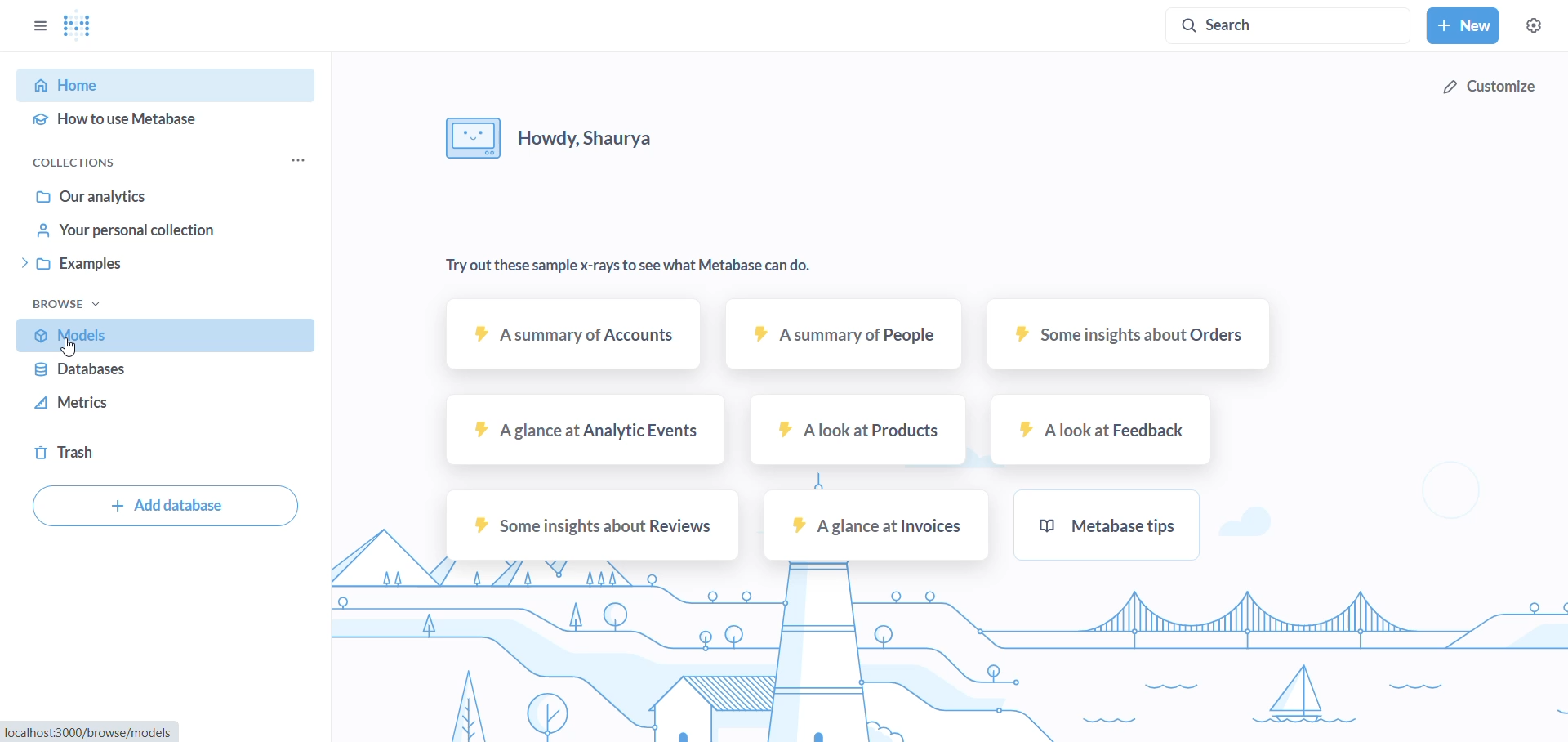  Describe the element at coordinates (858, 432) in the screenshot. I see `A look at products` at that location.